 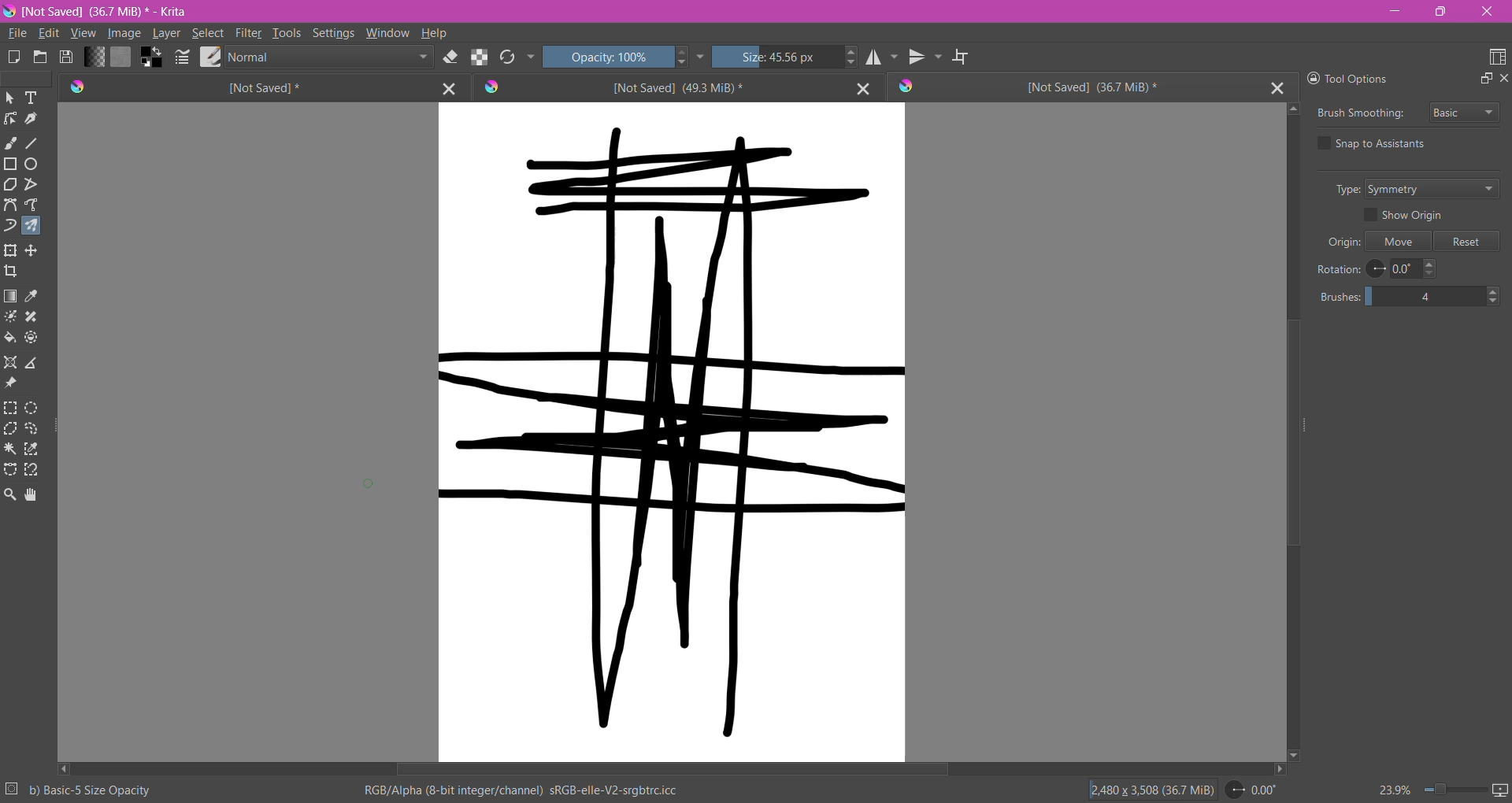 What do you see at coordinates (207, 33) in the screenshot?
I see `Select` at bounding box center [207, 33].